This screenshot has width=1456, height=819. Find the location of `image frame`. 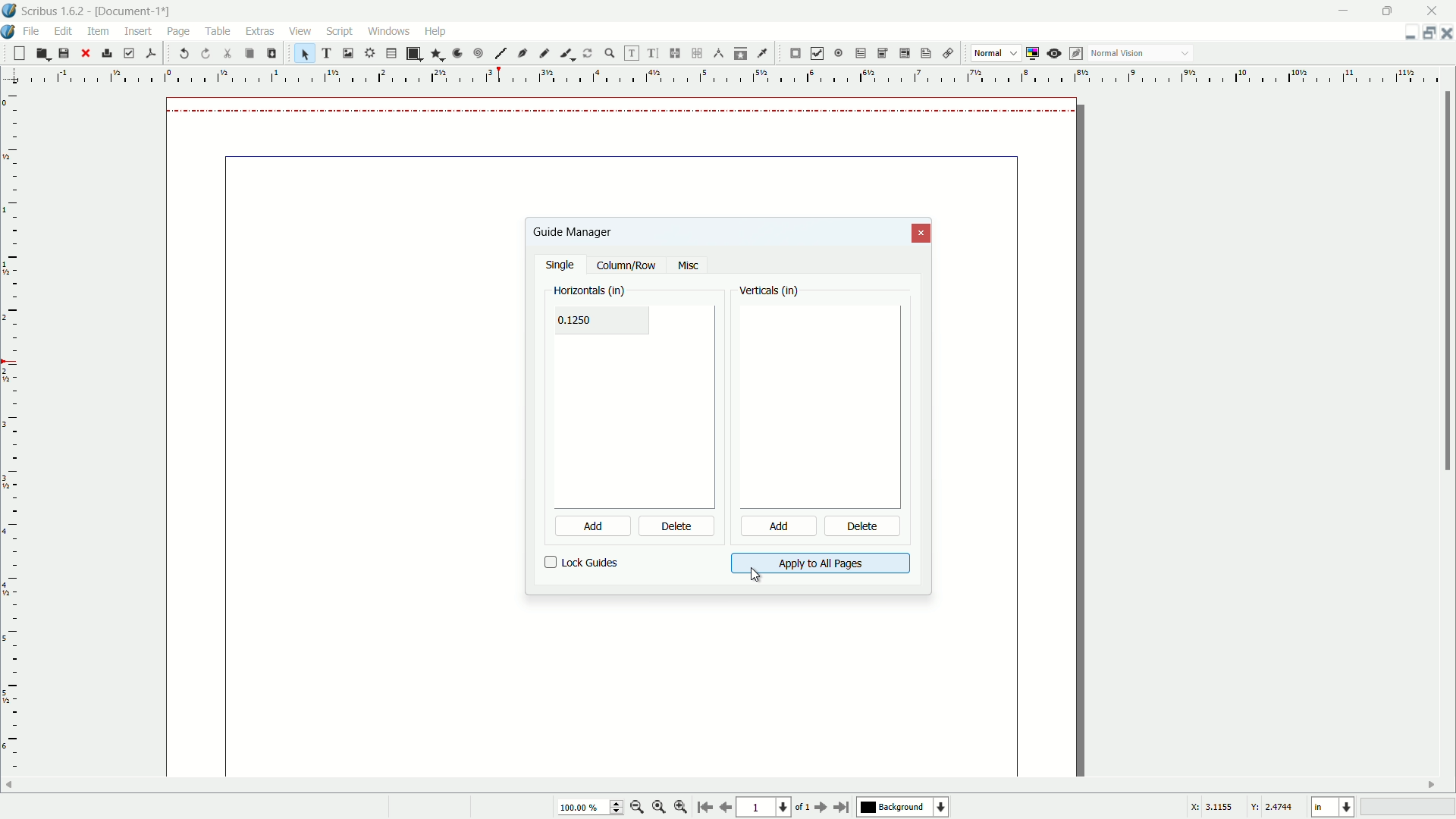

image frame is located at coordinates (347, 52).